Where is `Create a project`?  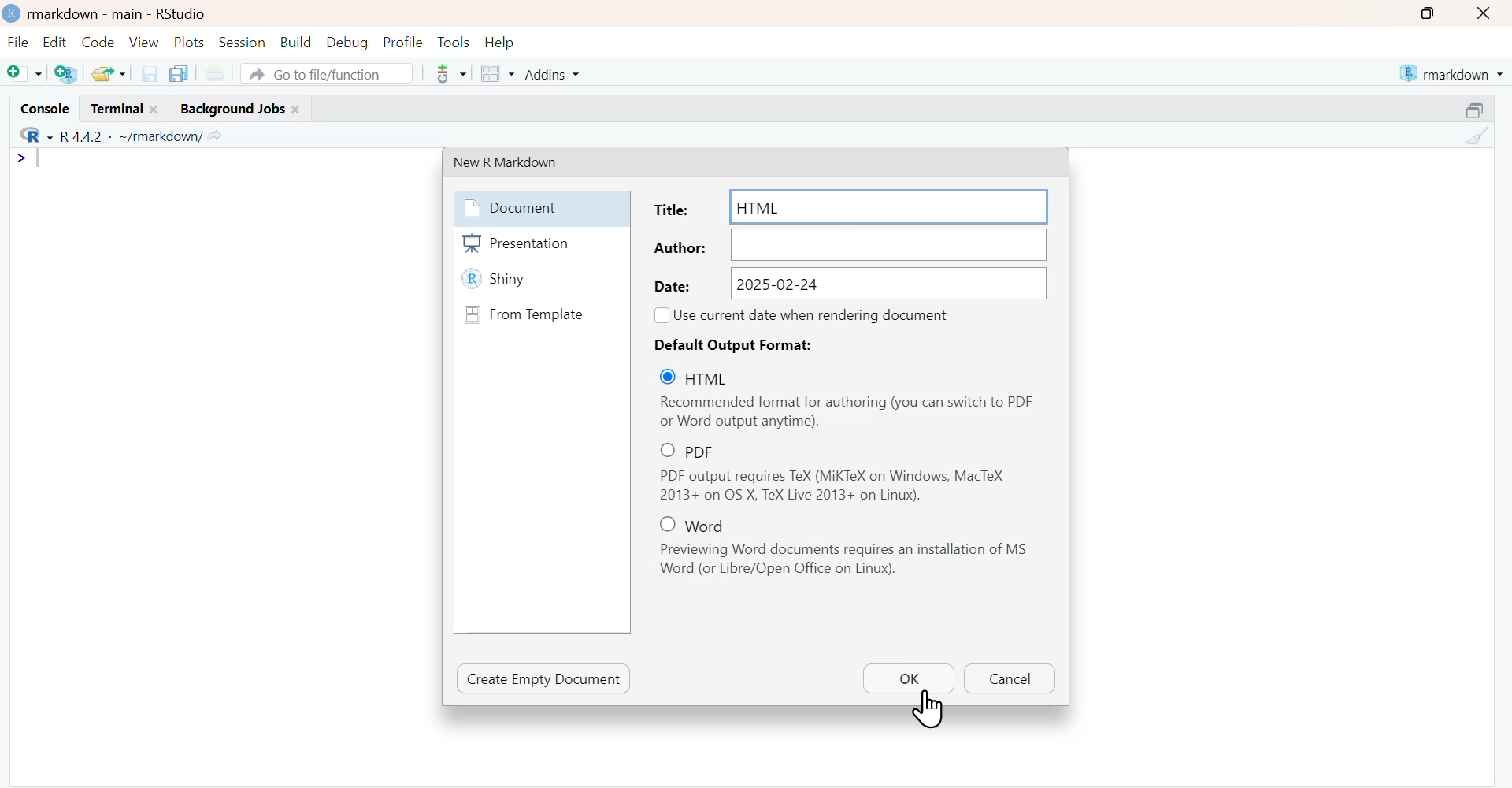
Create a project is located at coordinates (66, 72).